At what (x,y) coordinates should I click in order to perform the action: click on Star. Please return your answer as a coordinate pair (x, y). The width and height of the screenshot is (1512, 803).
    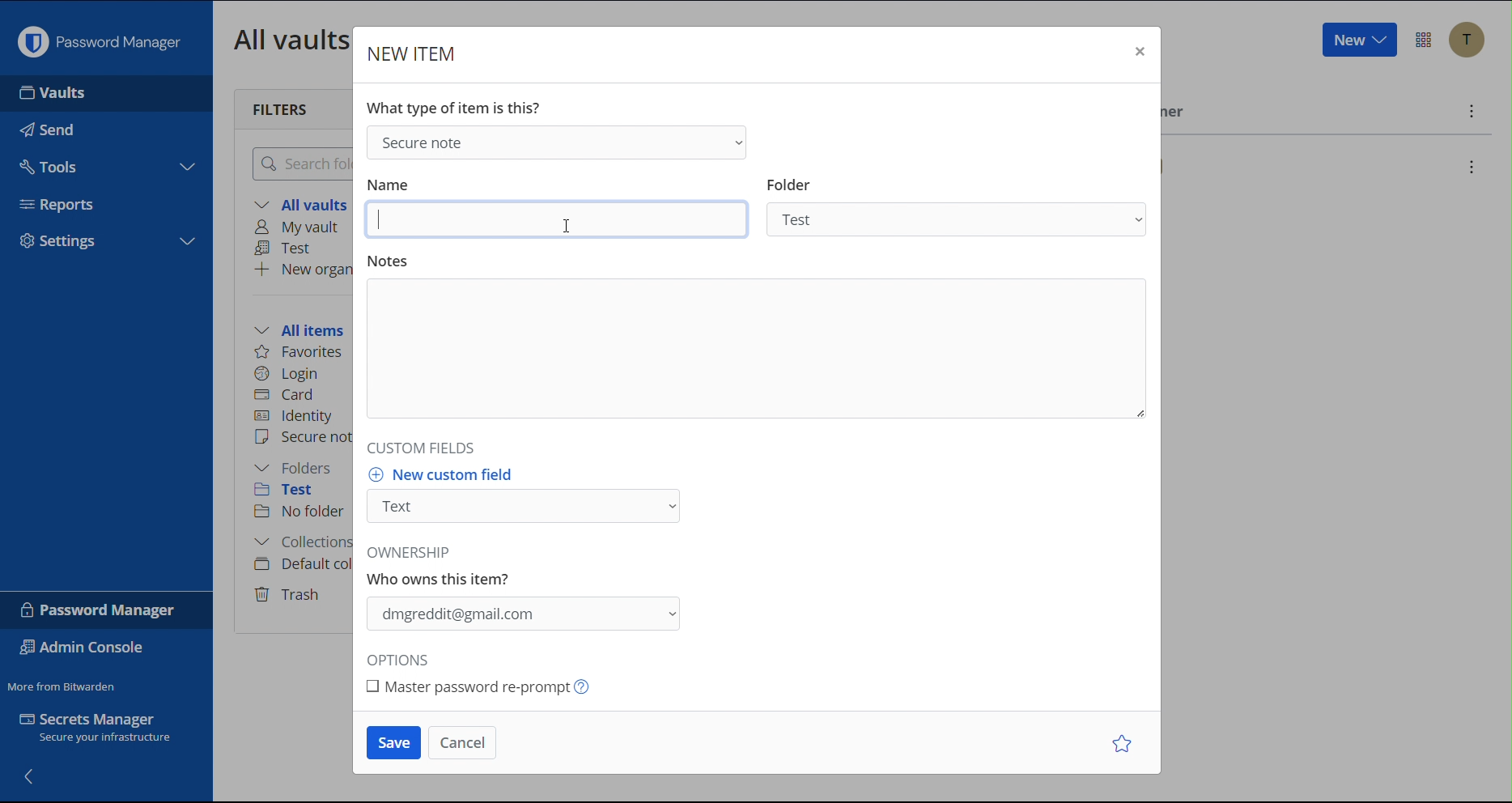
    Looking at the image, I should click on (1125, 743).